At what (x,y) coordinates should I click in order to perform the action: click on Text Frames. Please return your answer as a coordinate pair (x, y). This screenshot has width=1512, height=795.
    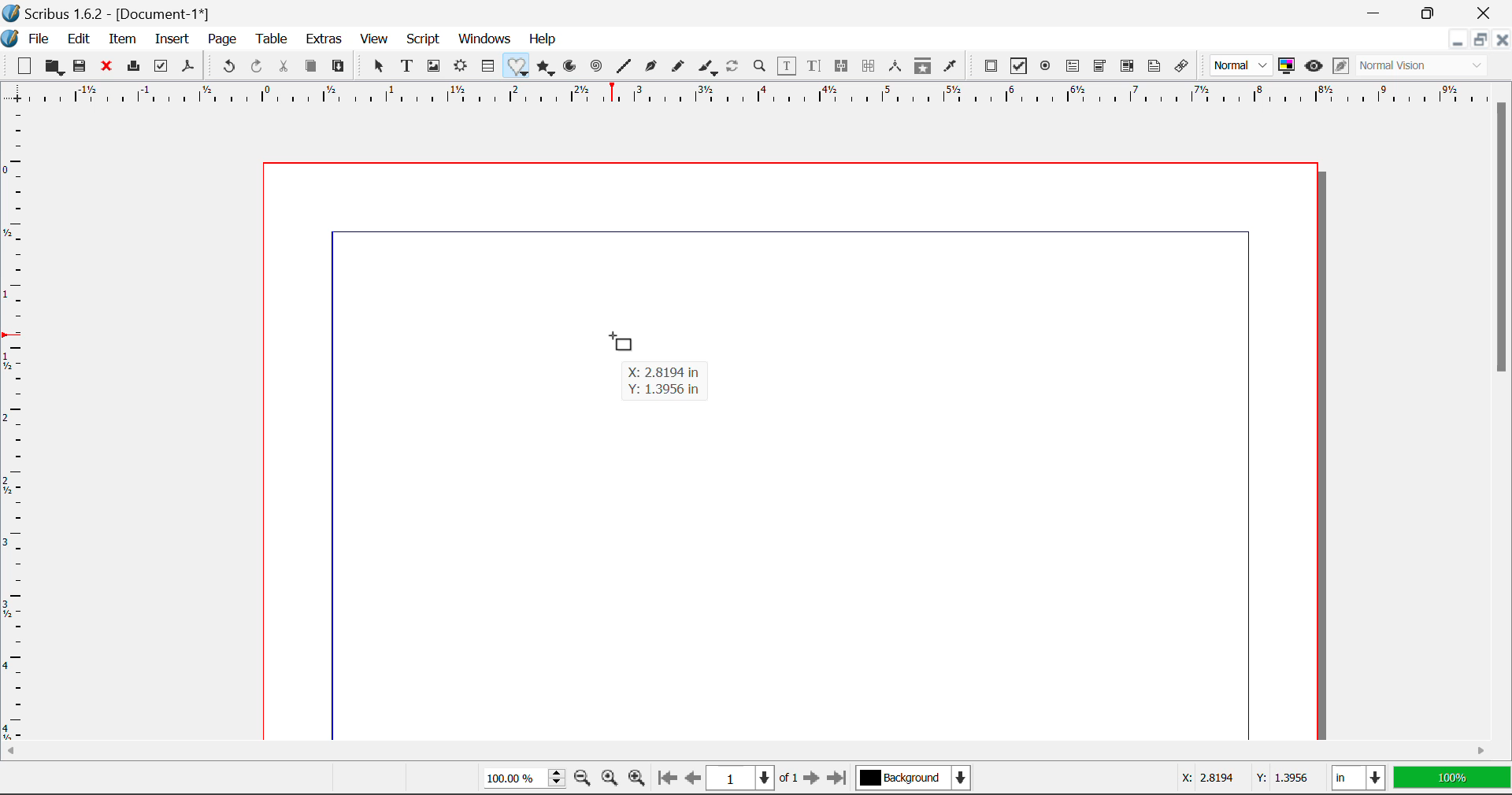
    Looking at the image, I should click on (408, 67).